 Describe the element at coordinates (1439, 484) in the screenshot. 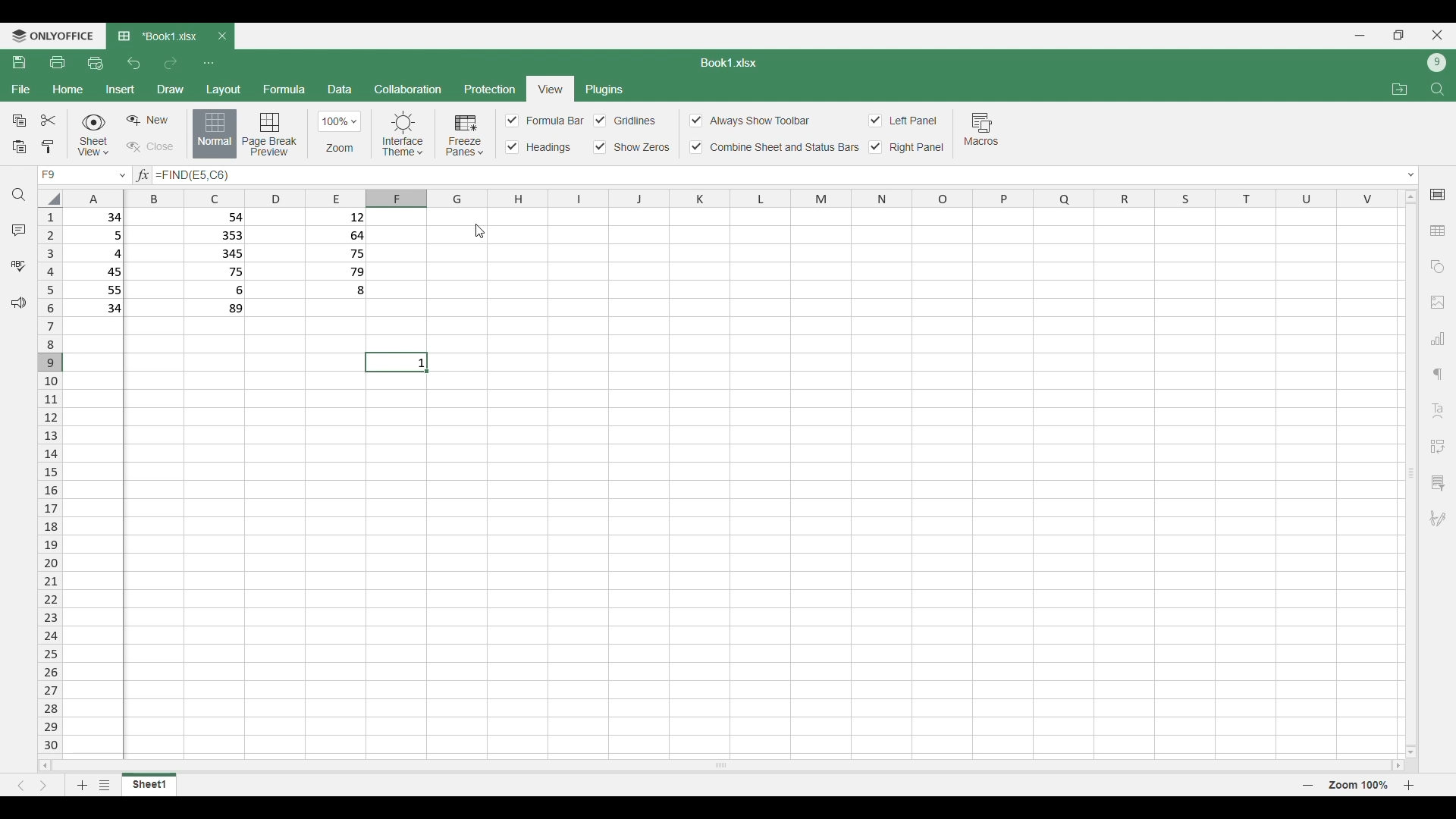

I see `Slicer` at that location.